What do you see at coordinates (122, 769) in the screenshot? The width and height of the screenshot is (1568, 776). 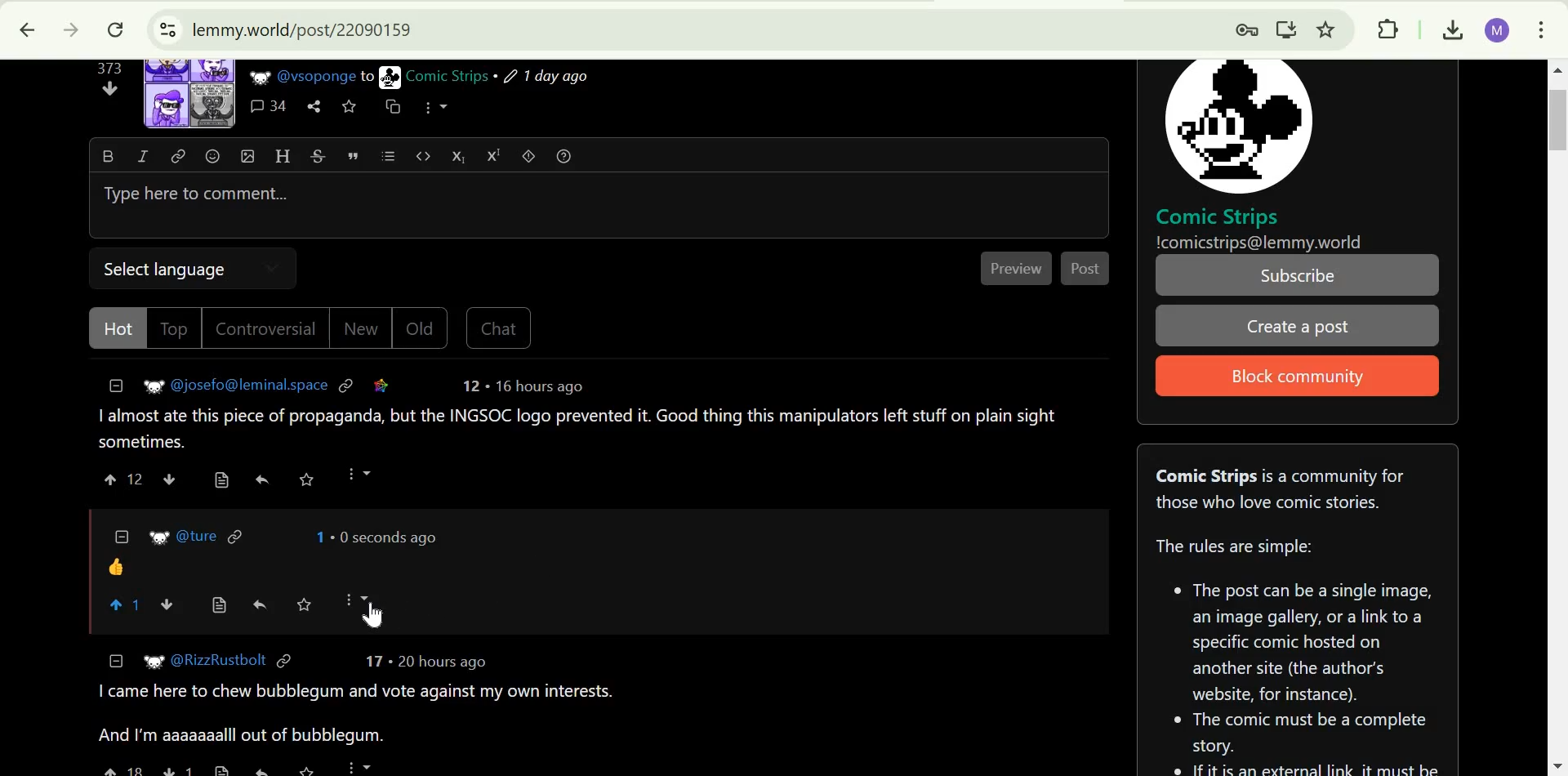 I see `upvote` at bounding box center [122, 769].